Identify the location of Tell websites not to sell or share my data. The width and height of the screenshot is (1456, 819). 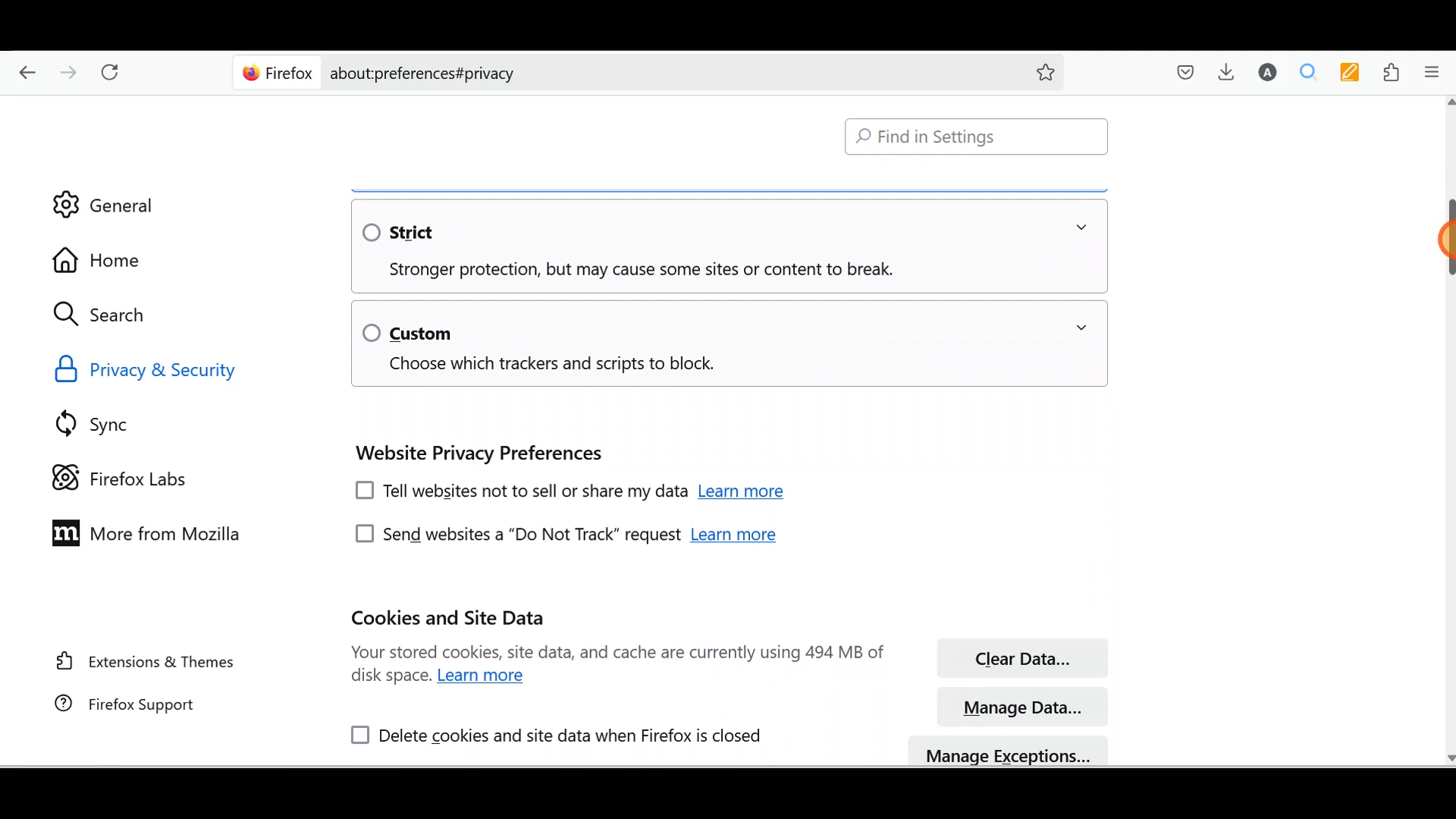
(518, 493).